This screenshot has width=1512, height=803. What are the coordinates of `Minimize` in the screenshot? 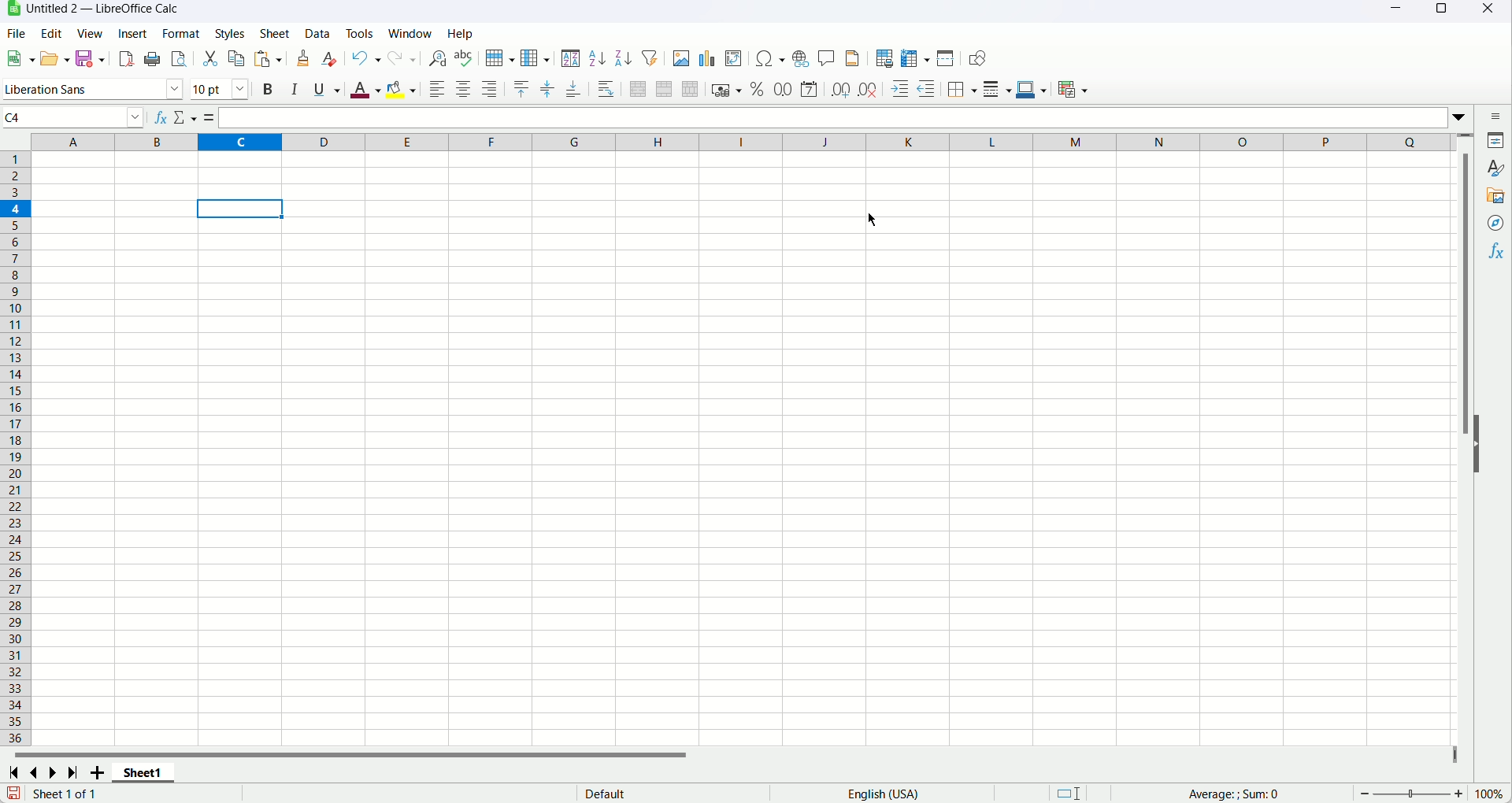 It's located at (1399, 11).